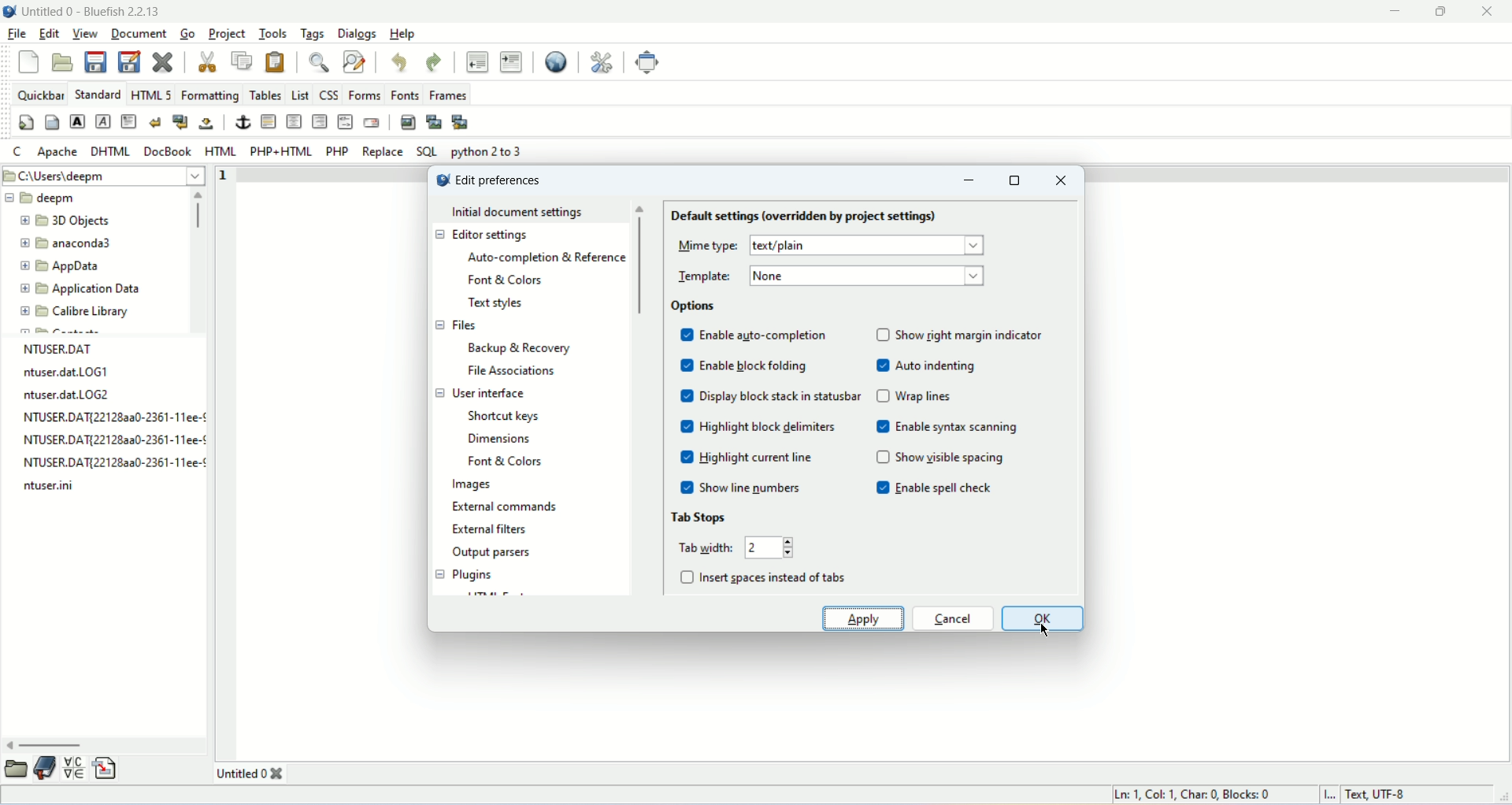 This screenshot has height=805, width=1512. What do you see at coordinates (139, 32) in the screenshot?
I see `document` at bounding box center [139, 32].